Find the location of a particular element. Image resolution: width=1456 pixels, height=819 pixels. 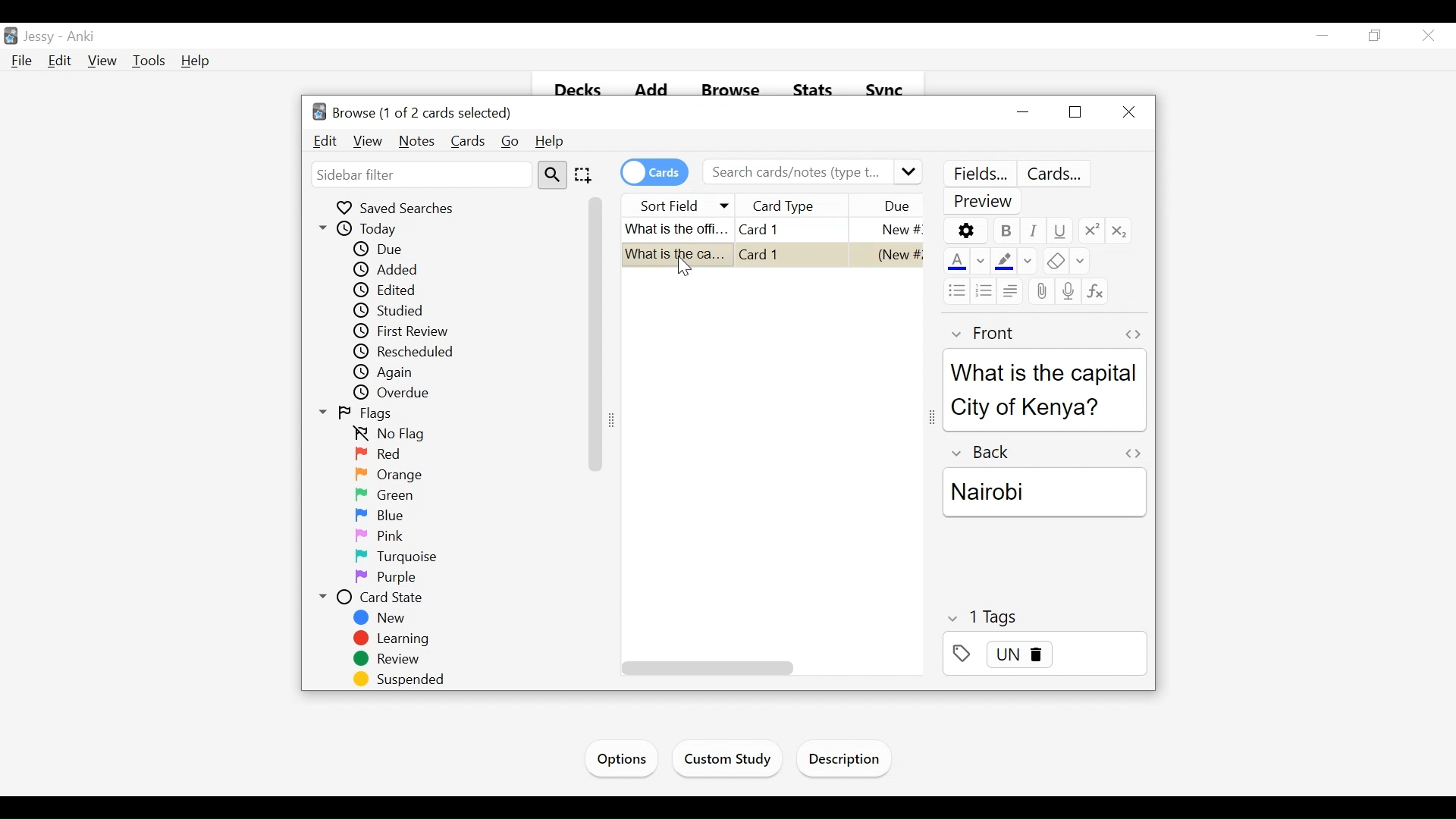

Upload files/pictures/Images is located at coordinates (1040, 293).